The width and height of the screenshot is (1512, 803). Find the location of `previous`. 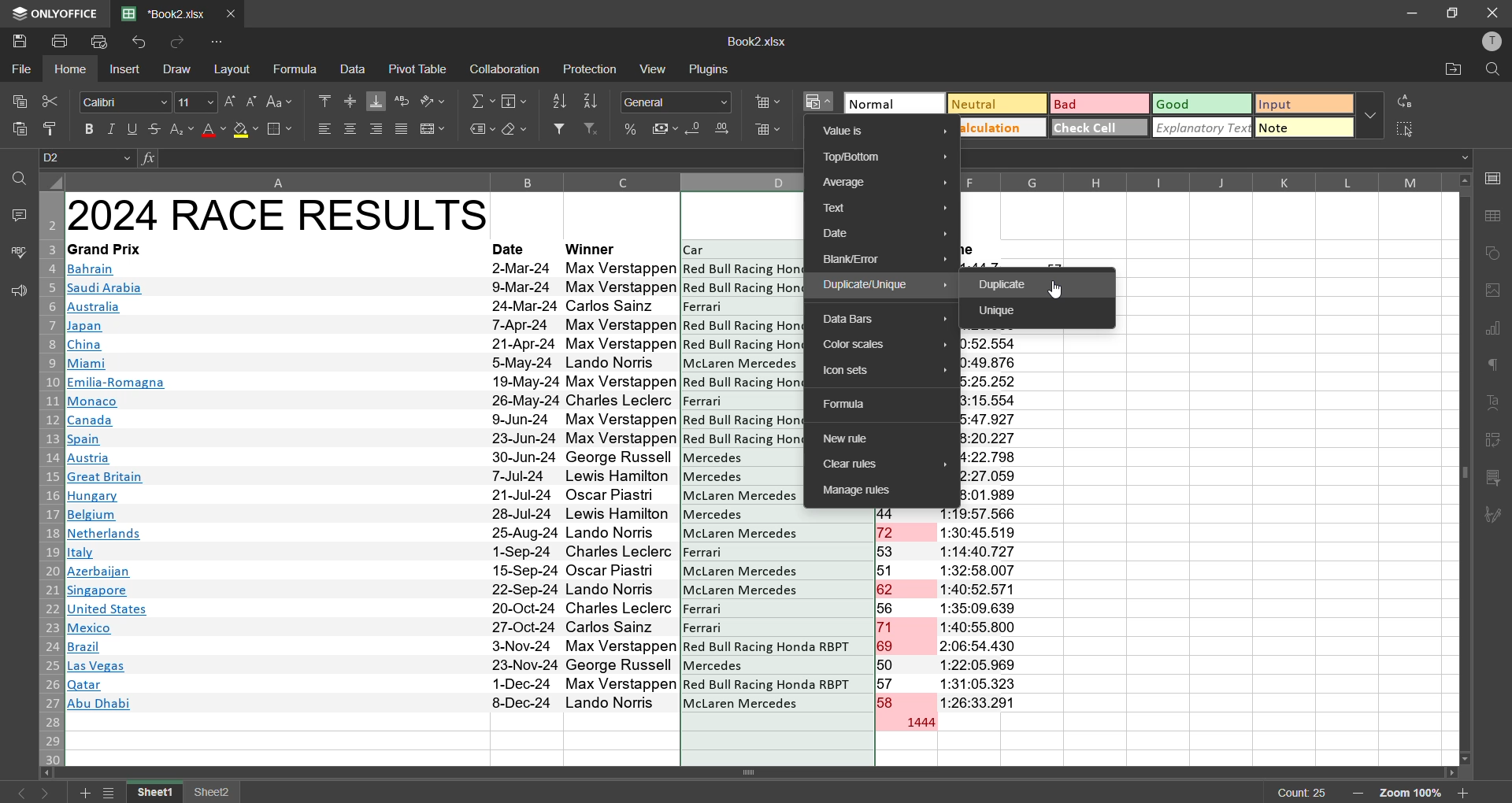

previous is located at coordinates (17, 793).